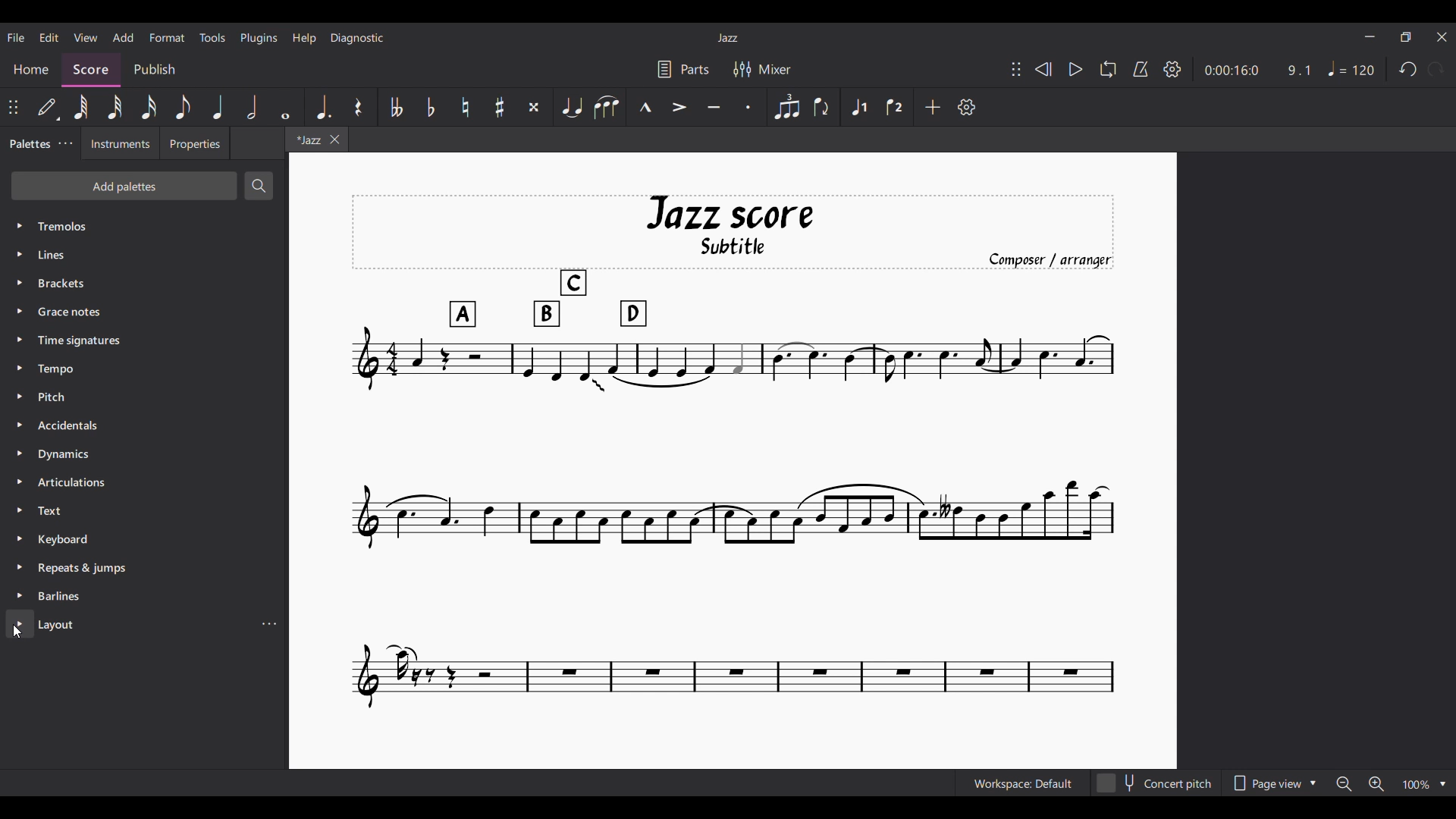 This screenshot has width=1456, height=819. What do you see at coordinates (130, 623) in the screenshot?
I see `Layout, highlighted by cursor` at bounding box center [130, 623].